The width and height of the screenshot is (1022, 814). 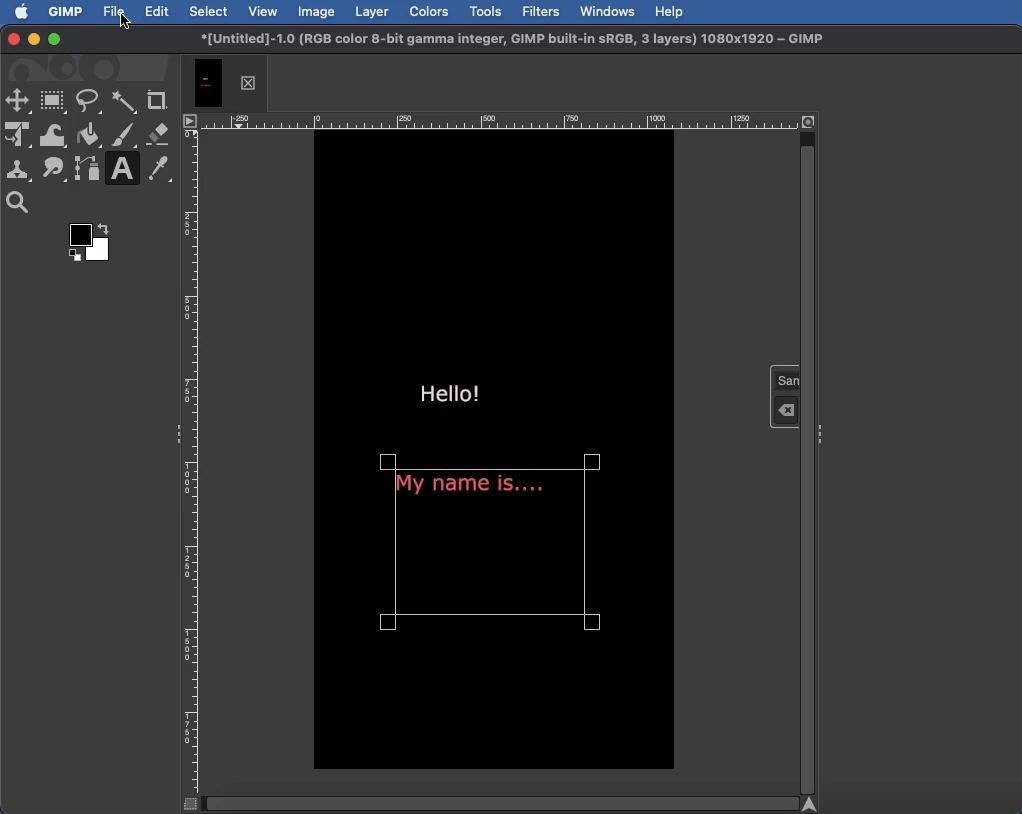 I want to click on Filters, so click(x=541, y=10).